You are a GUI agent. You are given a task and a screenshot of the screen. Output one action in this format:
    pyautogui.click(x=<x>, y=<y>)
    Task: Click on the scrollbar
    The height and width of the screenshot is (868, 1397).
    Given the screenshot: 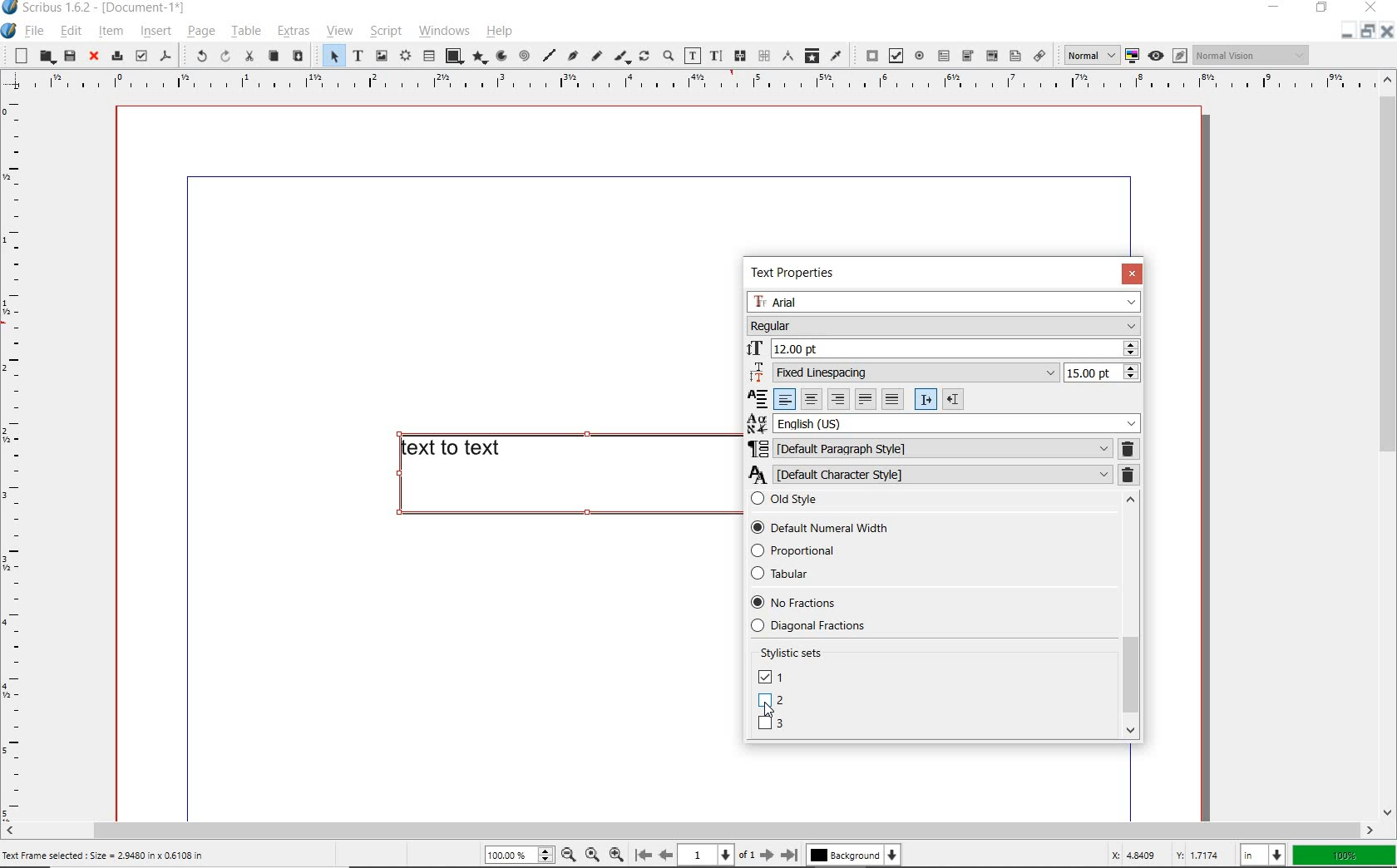 What is the action you would take?
    pyautogui.click(x=1387, y=445)
    